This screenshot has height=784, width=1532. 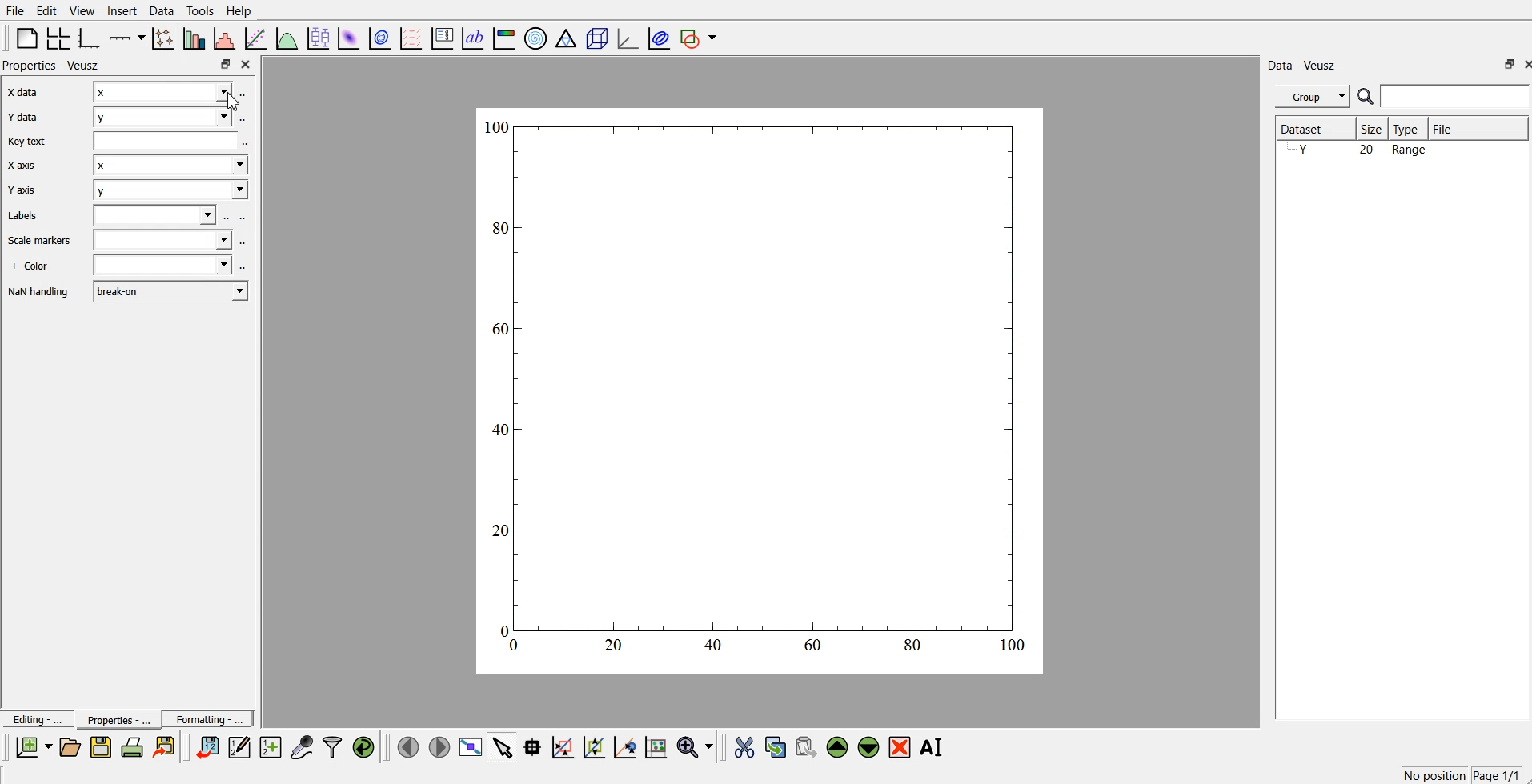 I want to click on Properties, so click(x=113, y=719).